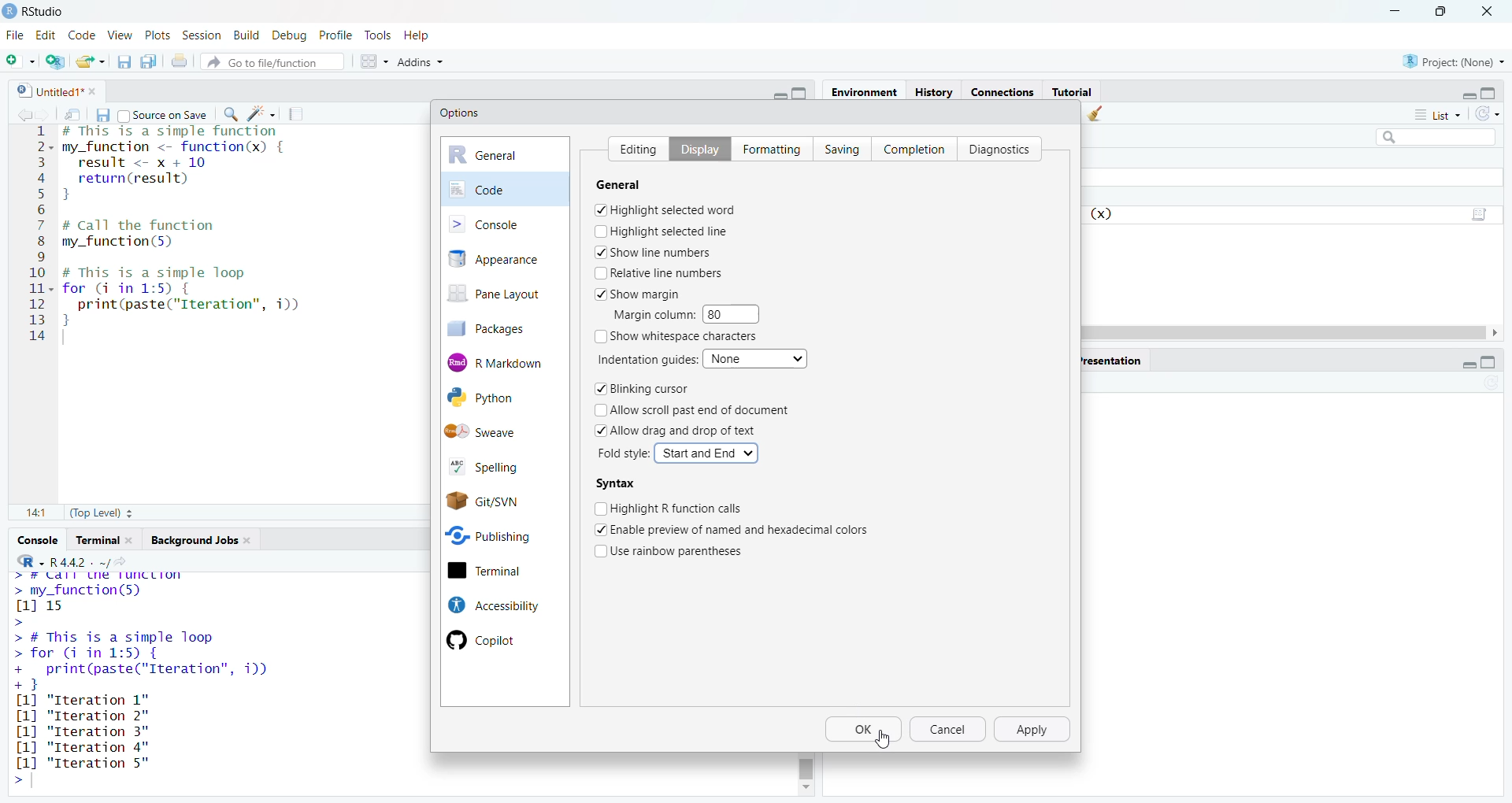 The width and height of the screenshot is (1512, 803). Describe the element at coordinates (1492, 9) in the screenshot. I see `close` at that location.